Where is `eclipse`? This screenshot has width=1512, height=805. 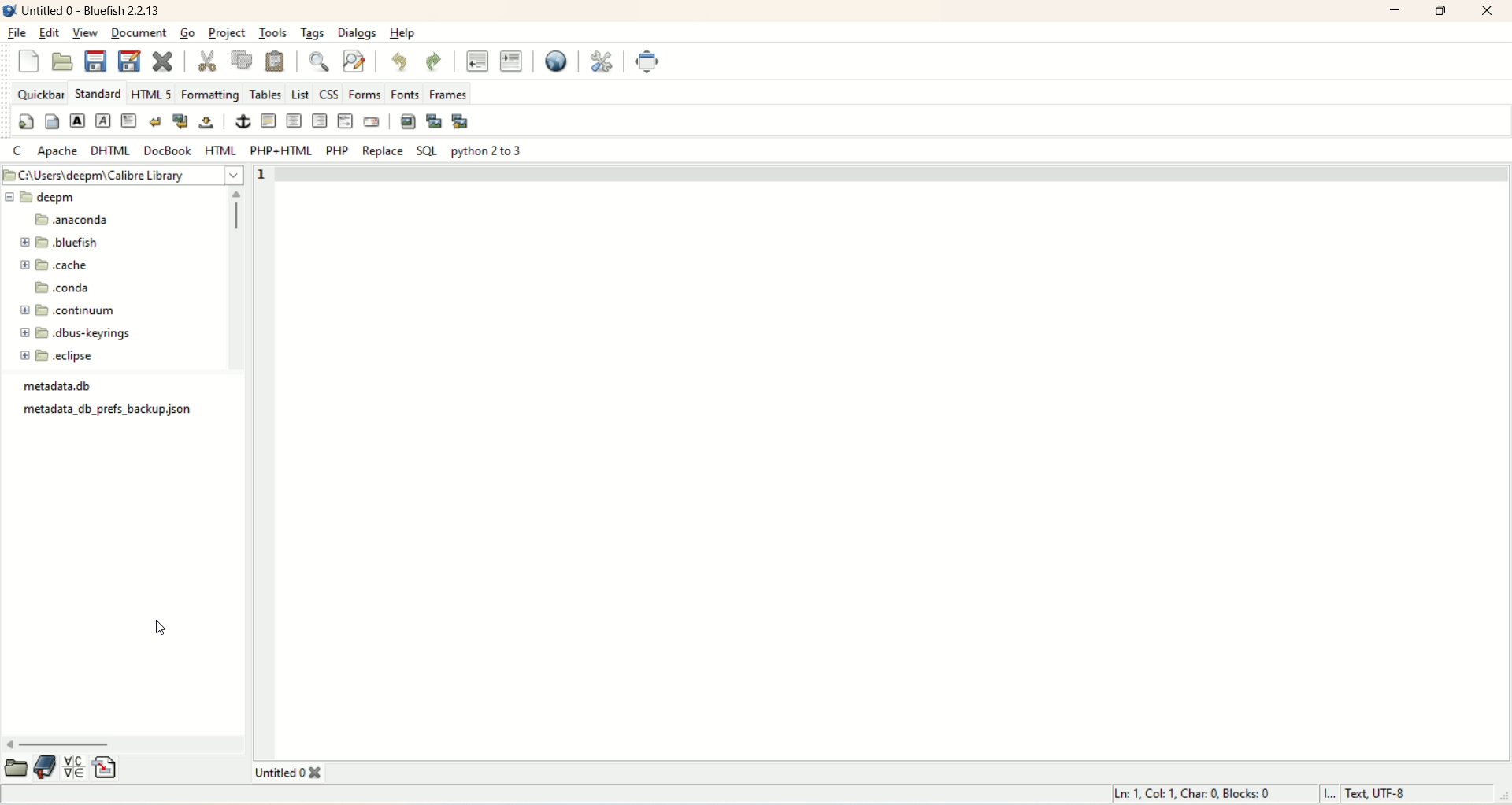 eclipse is located at coordinates (62, 357).